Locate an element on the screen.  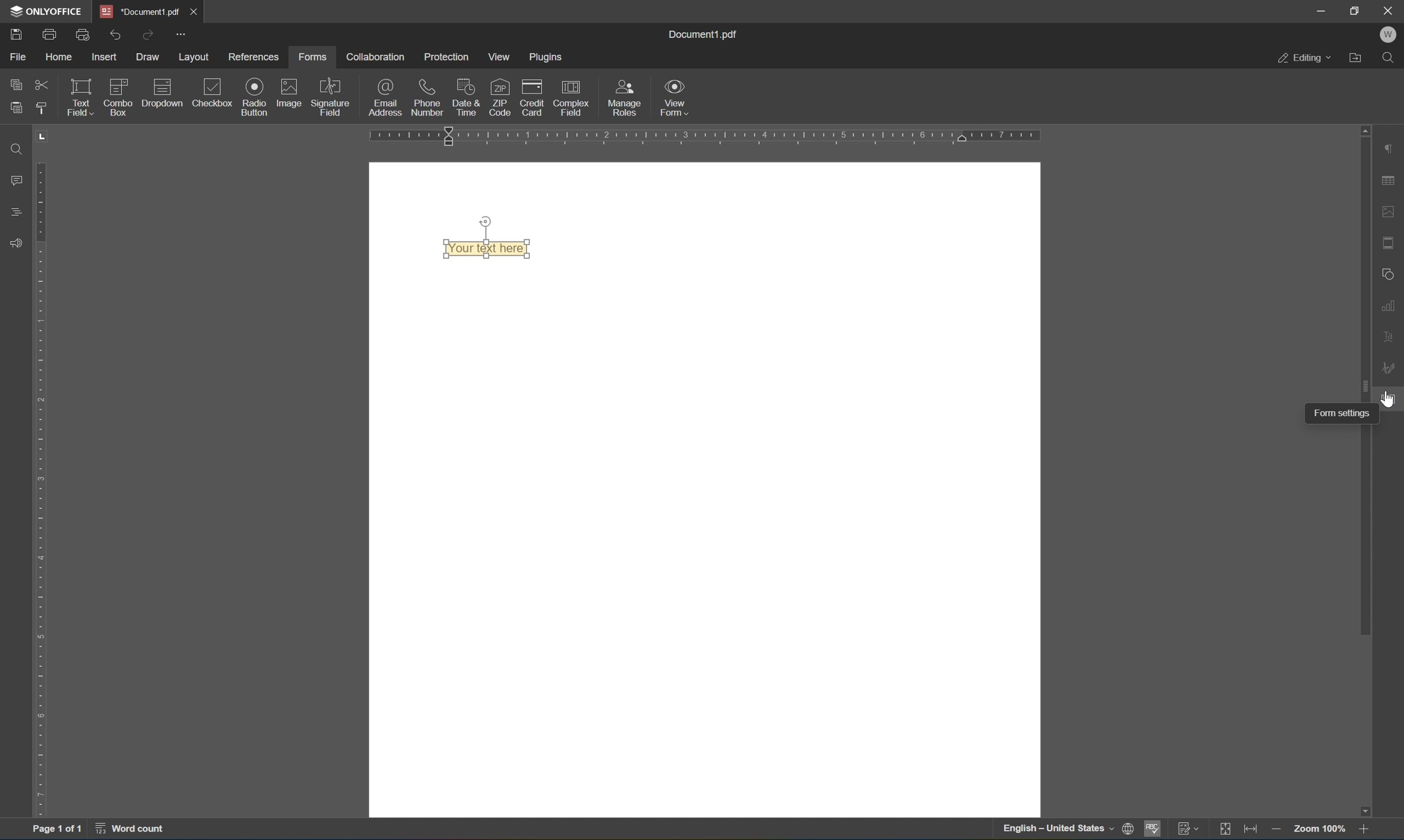
copy is located at coordinates (16, 82).